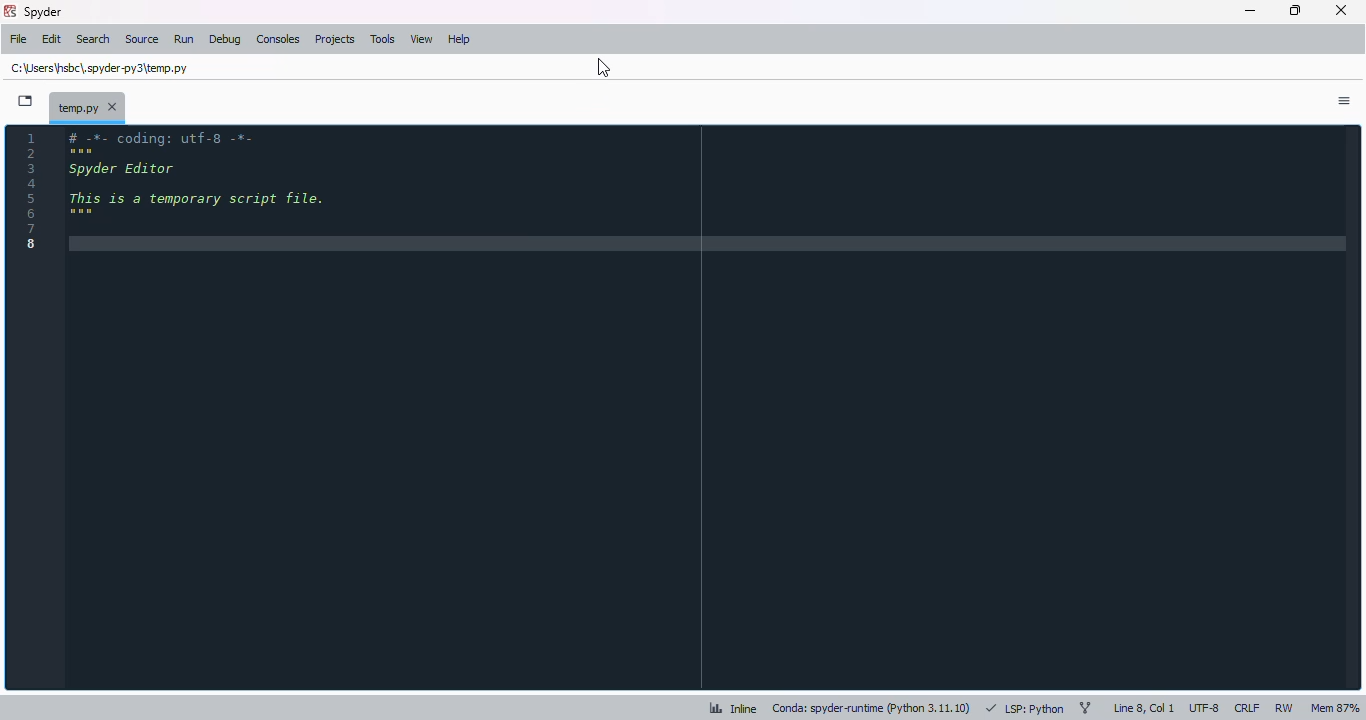  Describe the element at coordinates (1205, 709) in the screenshot. I see `UTF-8` at that location.